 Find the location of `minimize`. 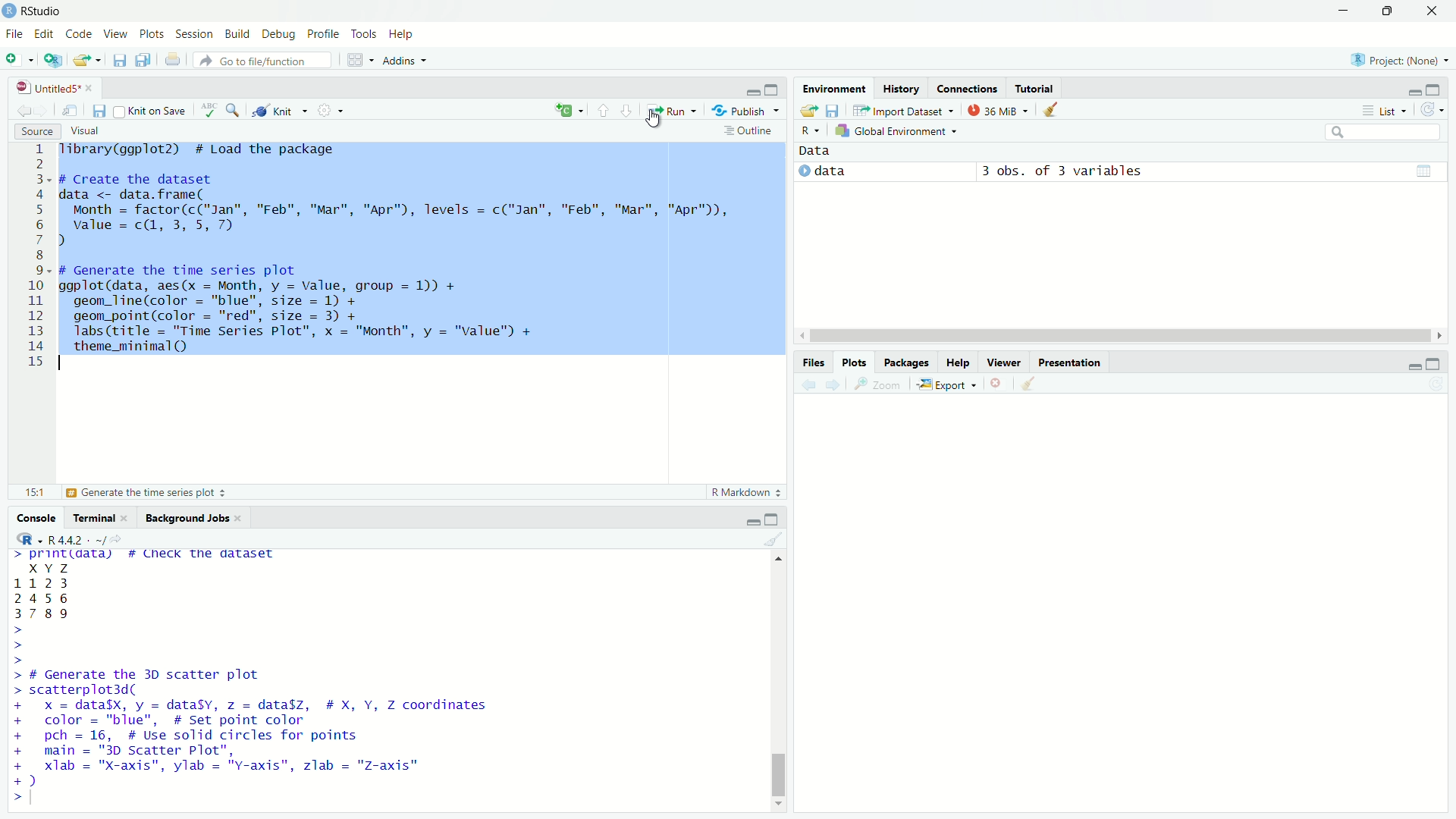

minimize is located at coordinates (751, 87).